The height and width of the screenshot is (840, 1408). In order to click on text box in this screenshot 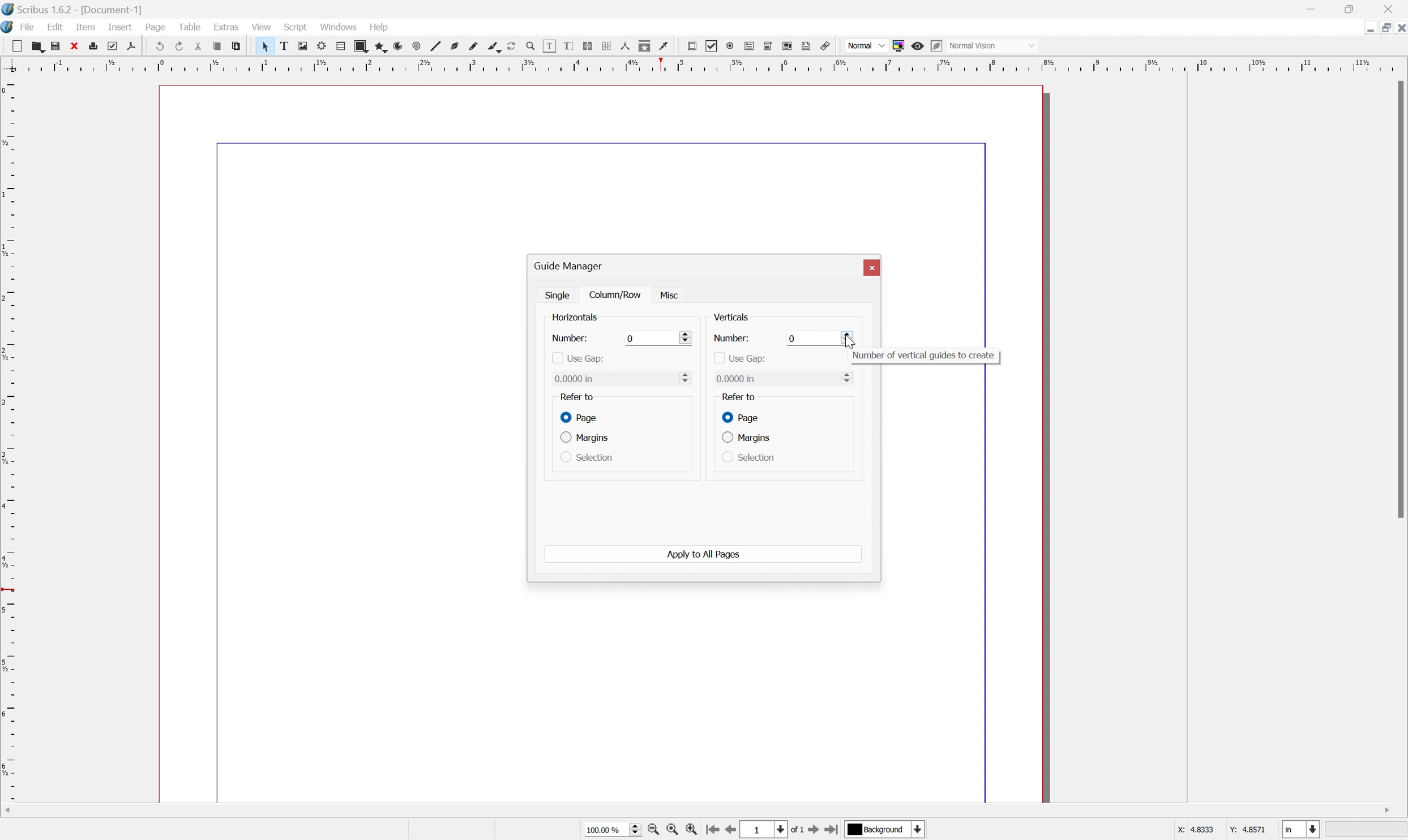, I will do `click(284, 46)`.